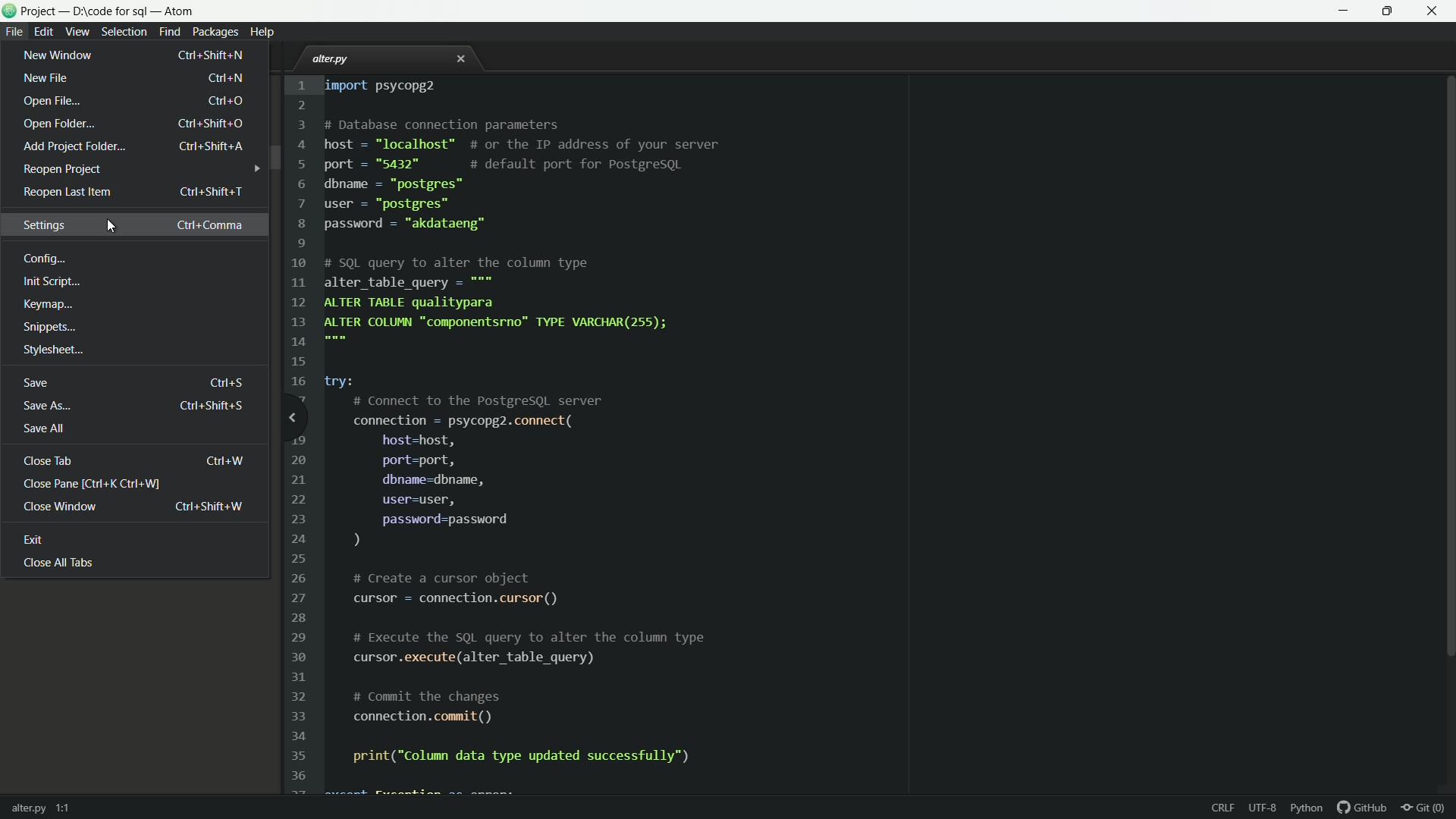  Describe the element at coordinates (78, 32) in the screenshot. I see `view menu` at that location.